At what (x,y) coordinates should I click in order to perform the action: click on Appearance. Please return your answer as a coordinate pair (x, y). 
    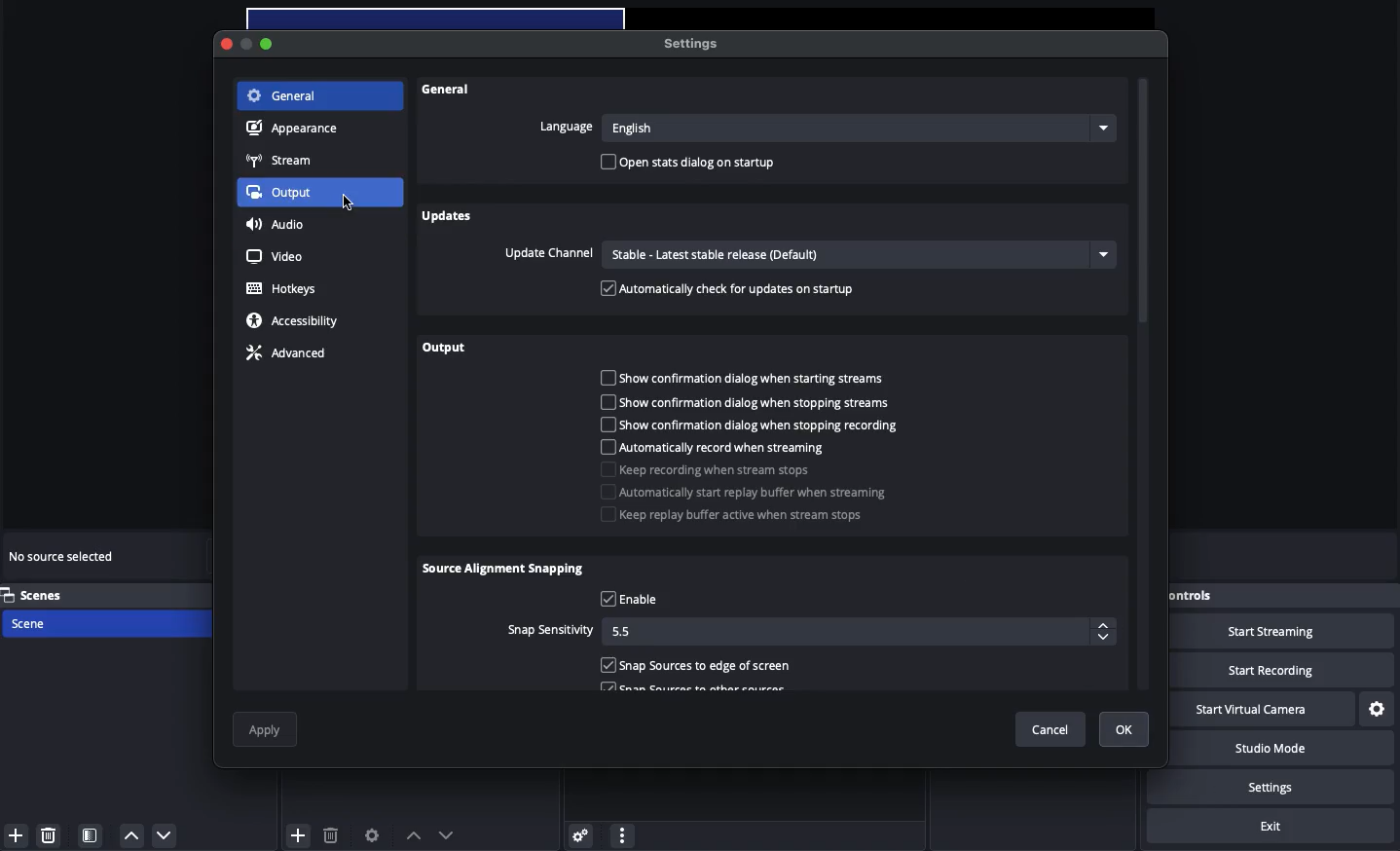
    Looking at the image, I should click on (295, 129).